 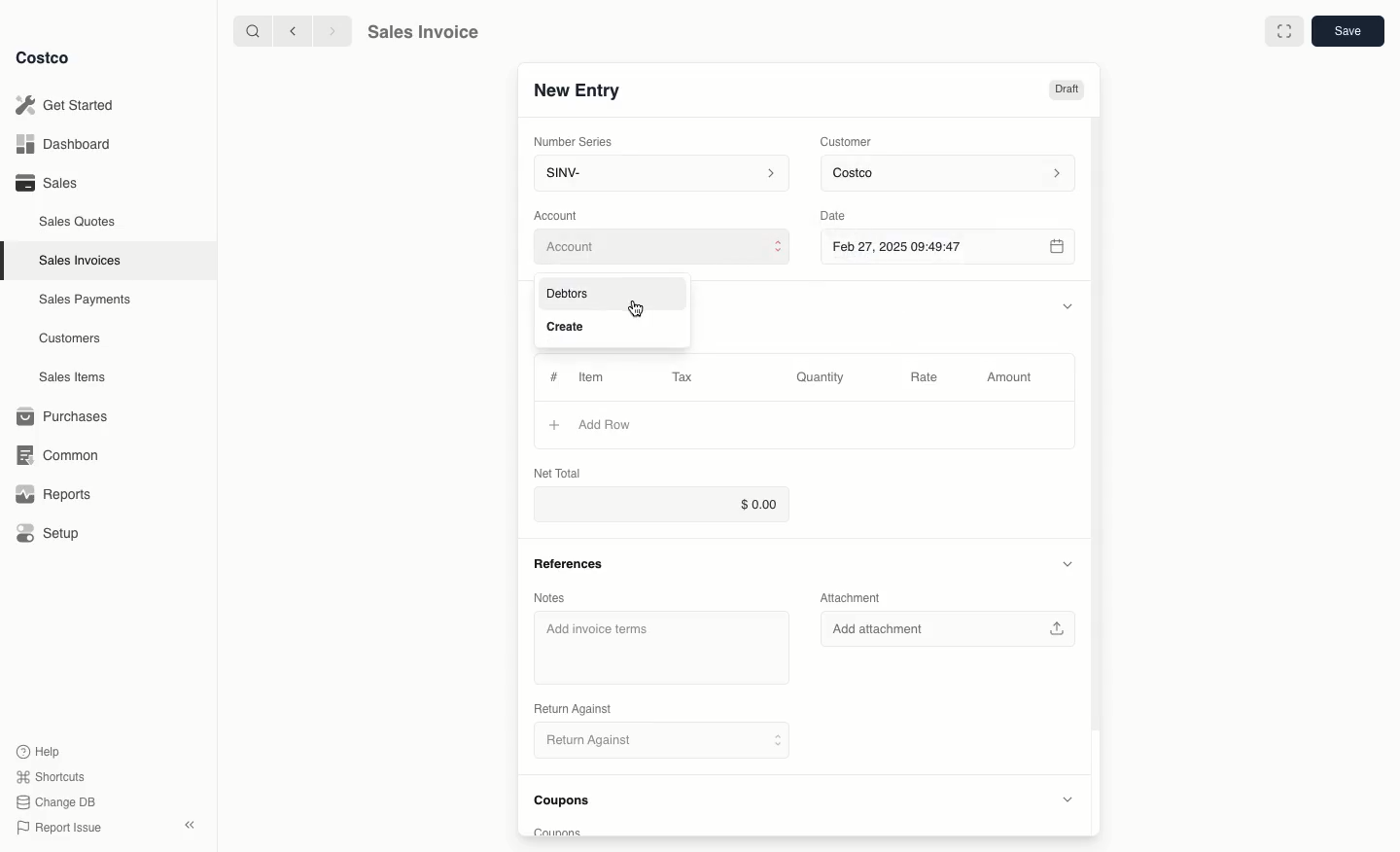 What do you see at coordinates (926, 378) in the screenshot?
I see `Rate` at bounding box center [926, 378].